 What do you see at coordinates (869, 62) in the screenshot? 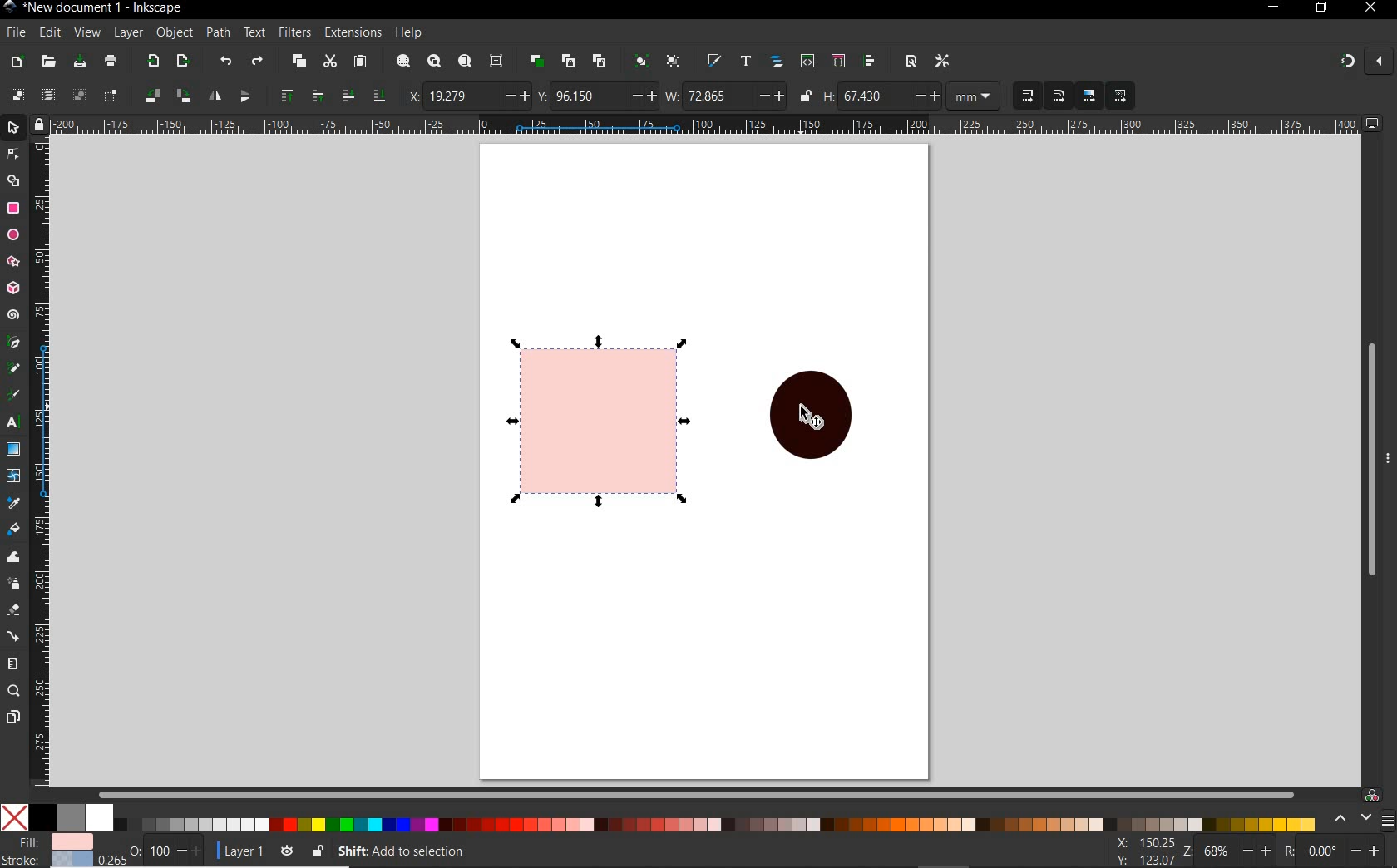
I see `open align and distribu` at bounding box center [869, 62].